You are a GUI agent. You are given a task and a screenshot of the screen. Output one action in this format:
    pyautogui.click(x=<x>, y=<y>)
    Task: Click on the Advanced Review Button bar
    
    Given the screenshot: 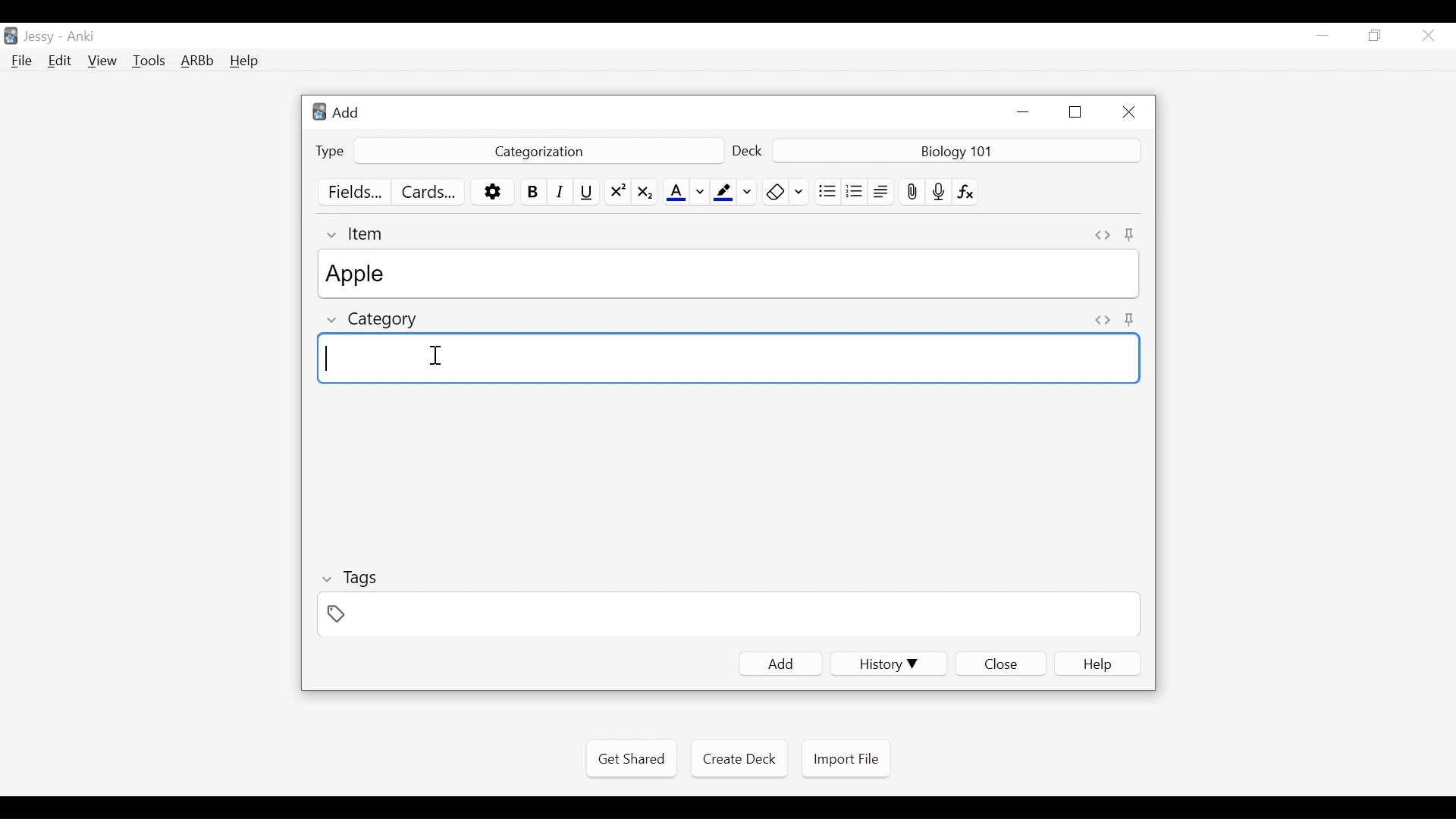 What is the action you would take?
    pyautogui.click(x=198, y=61)
    